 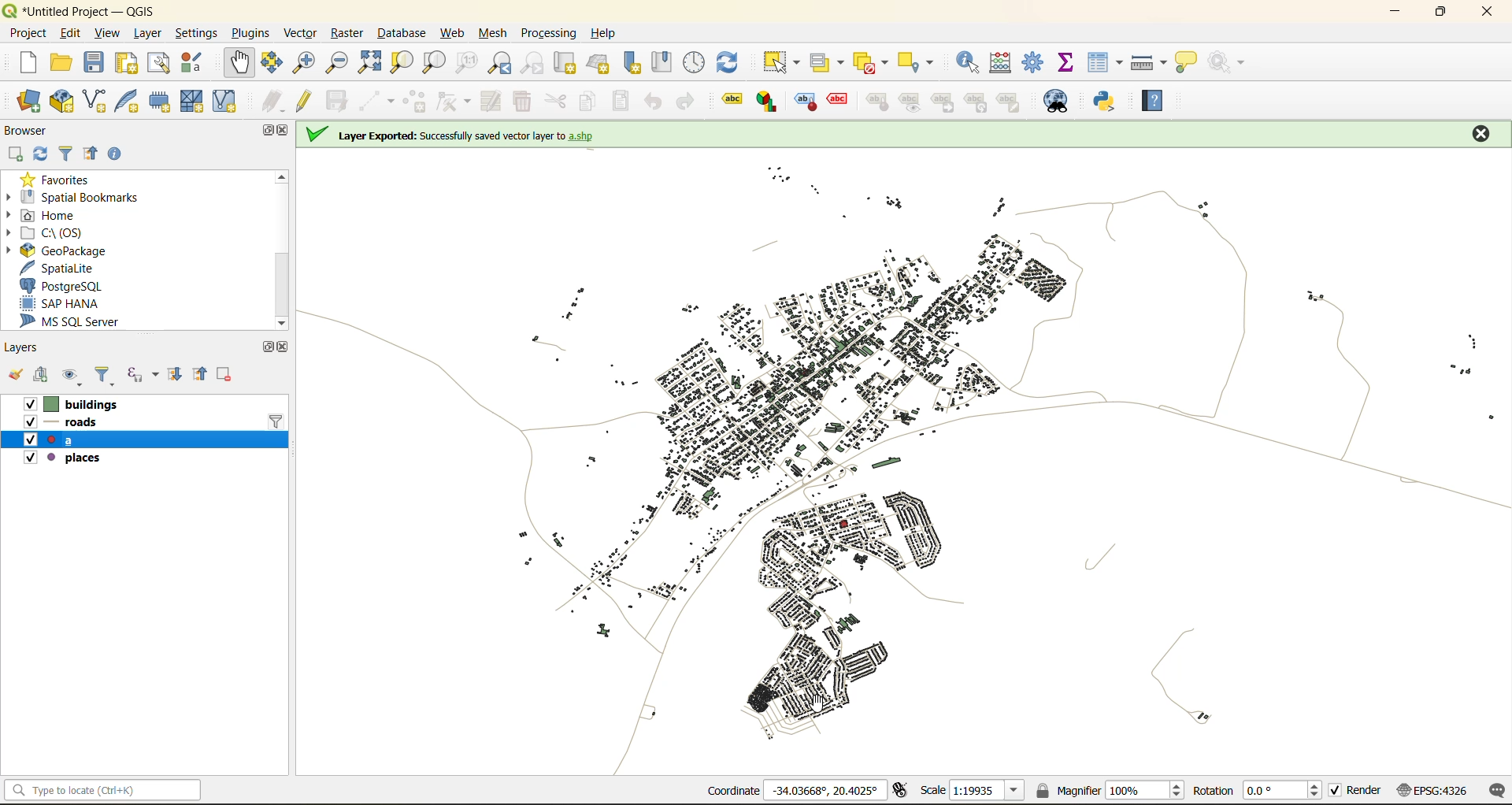 What do you see at coordinates (271, 62) in the screenshot?
I see `pan selection` at bounding box center [271, 62].